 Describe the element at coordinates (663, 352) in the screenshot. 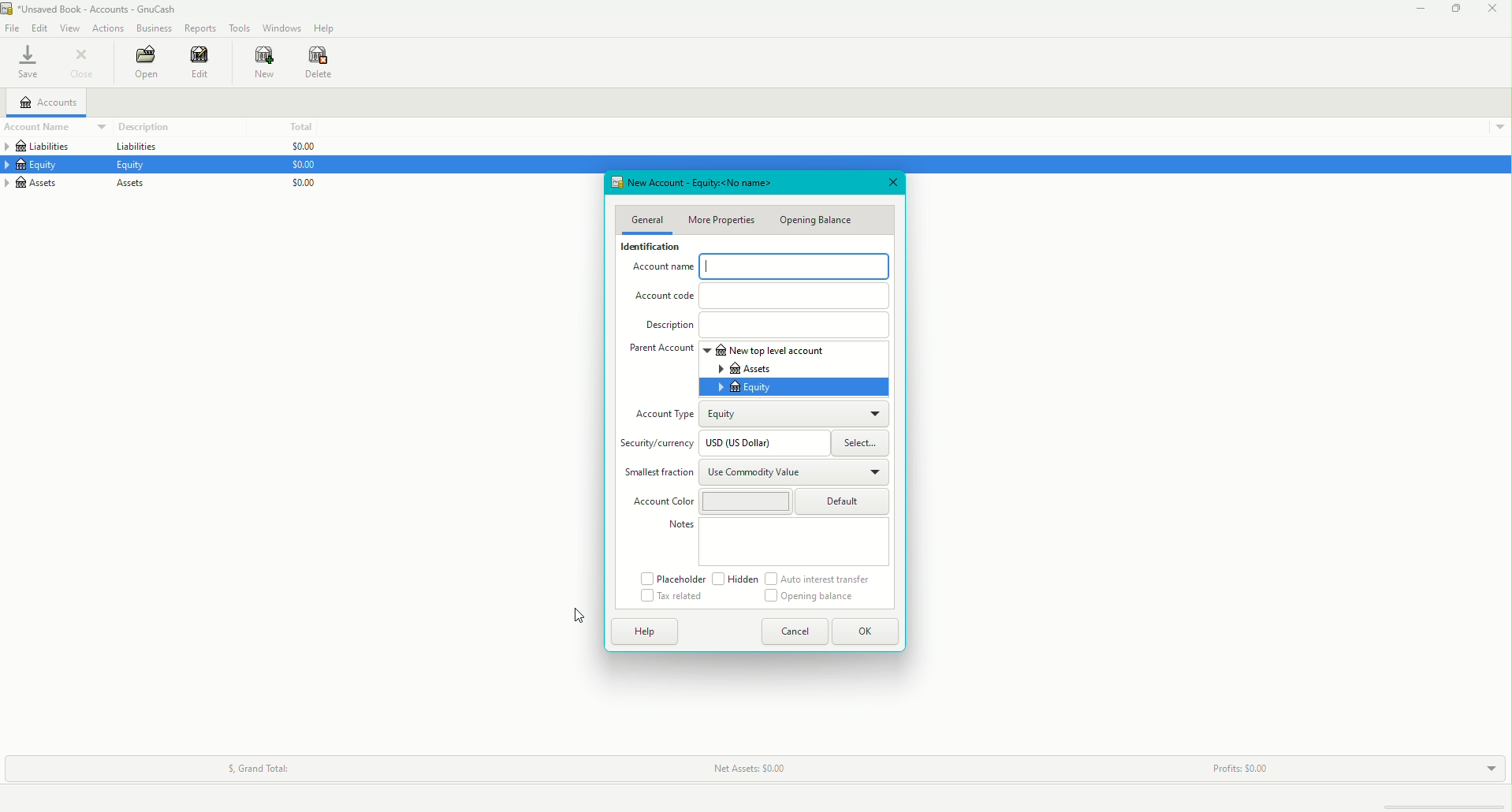

I see `Parent Account` at that location.